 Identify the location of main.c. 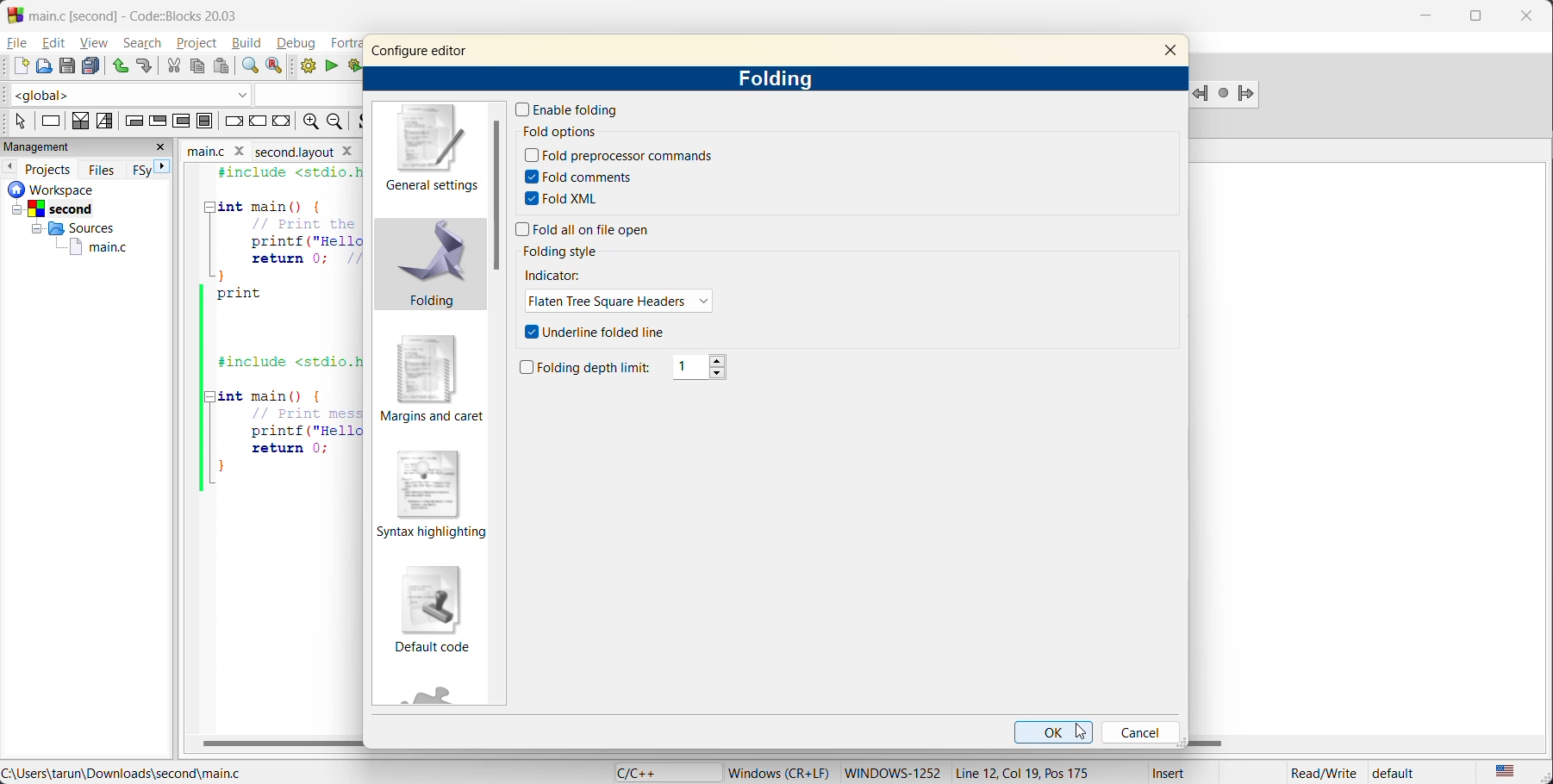
(96, 248).